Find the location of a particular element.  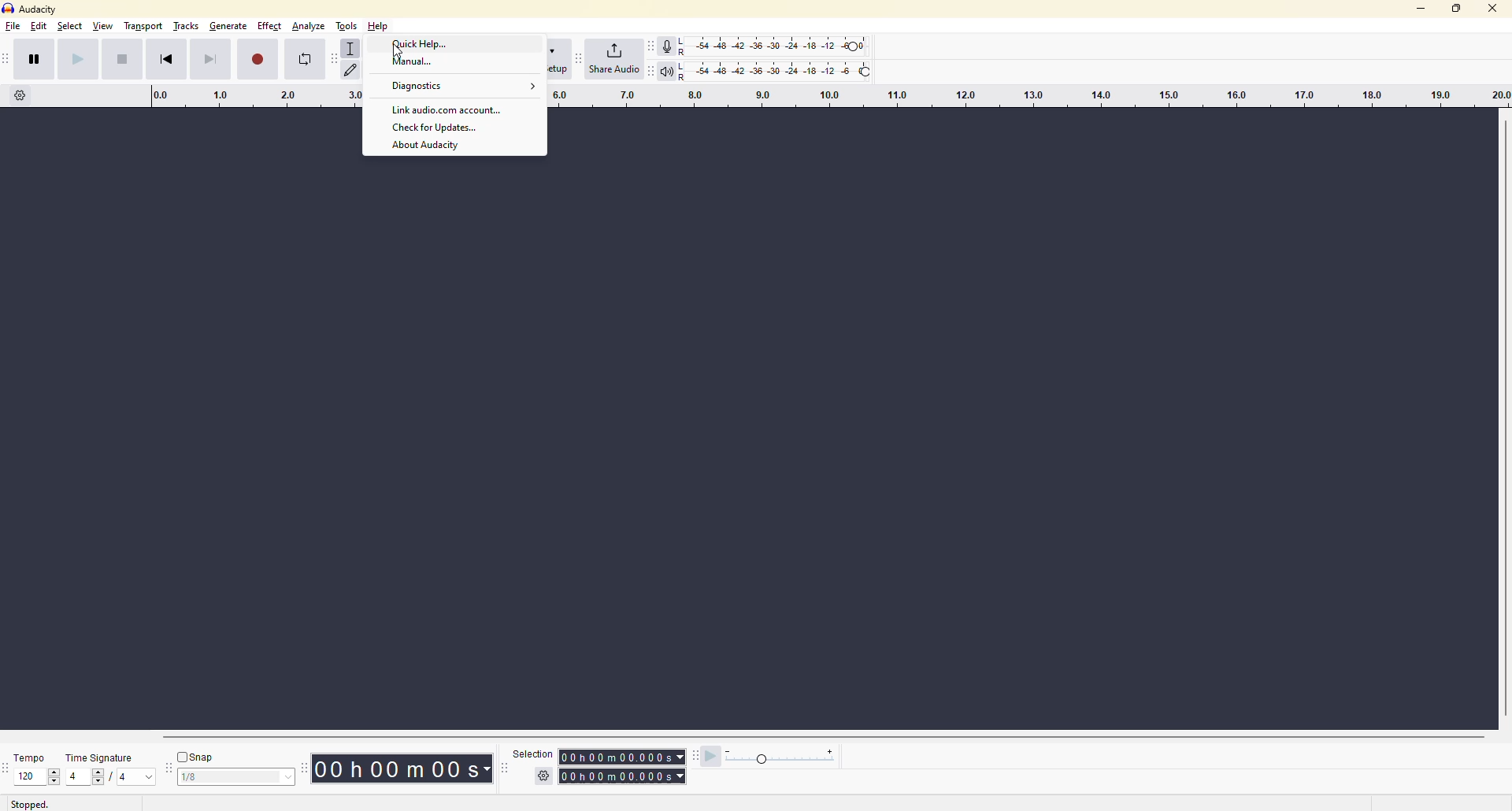

edit is located at coordinates (41, 29).